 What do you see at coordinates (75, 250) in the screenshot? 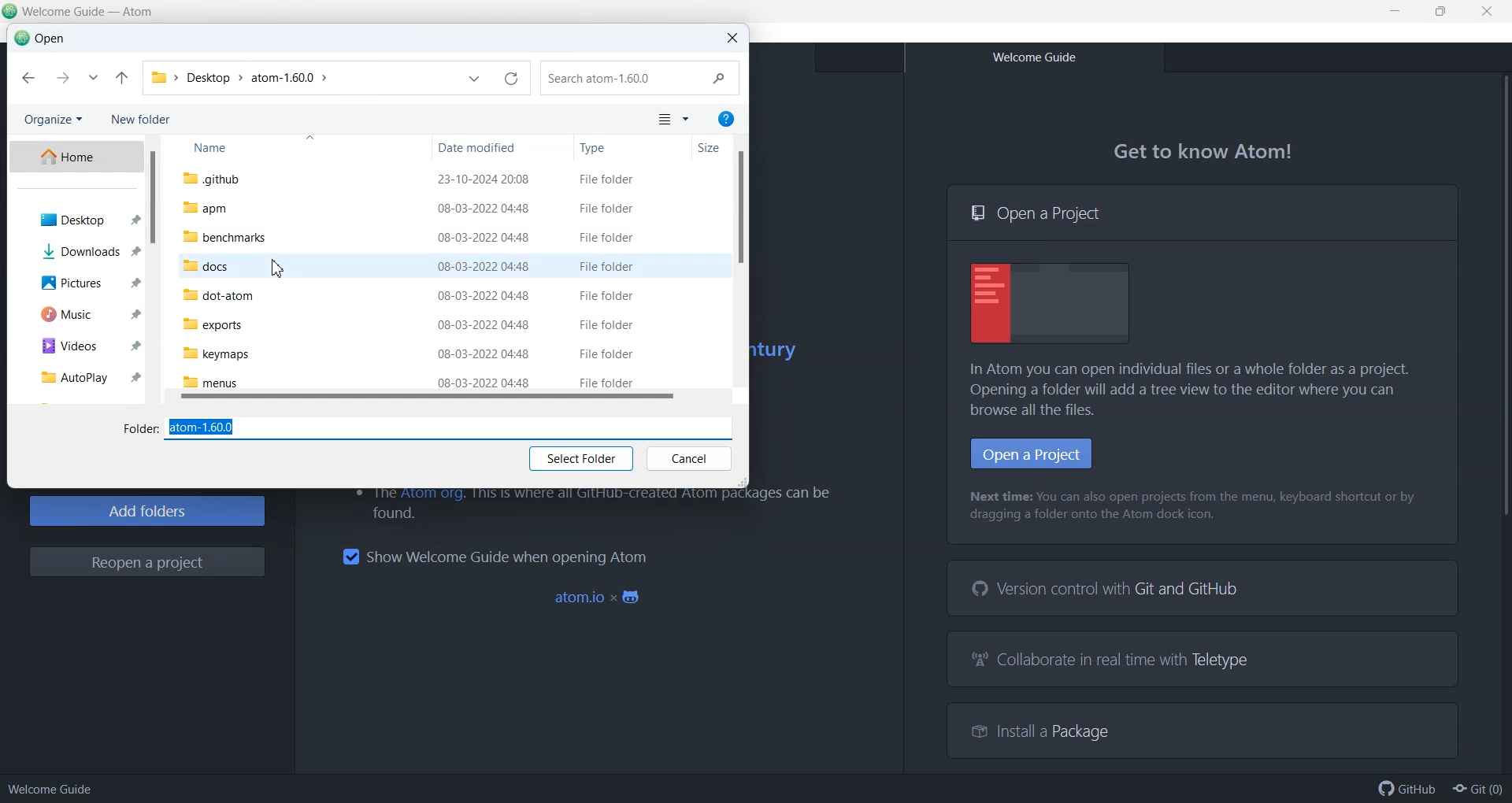
I see `Download` at bounding box center [75, 250].